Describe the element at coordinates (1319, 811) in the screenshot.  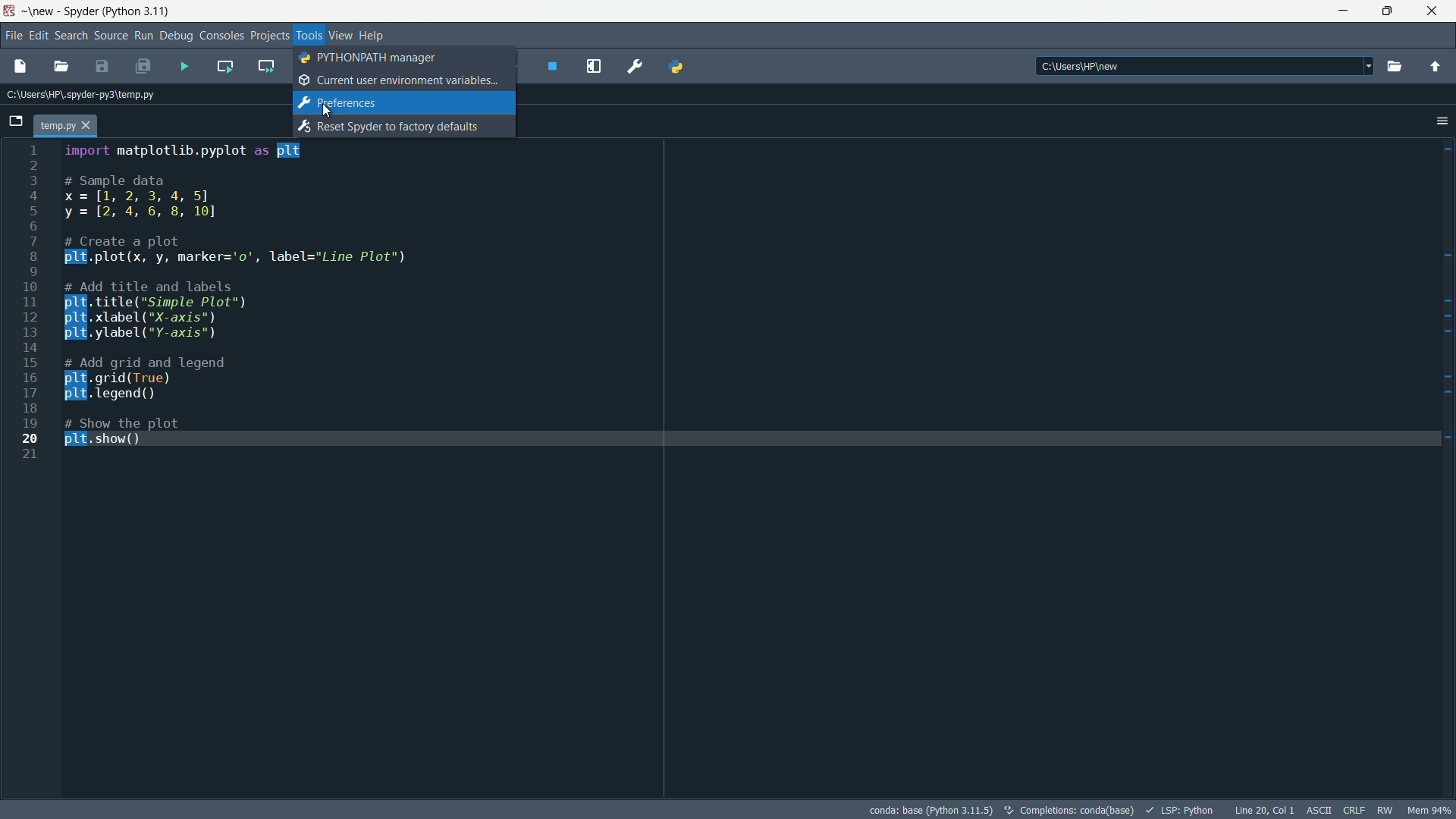
I see `file encoding` at that location.